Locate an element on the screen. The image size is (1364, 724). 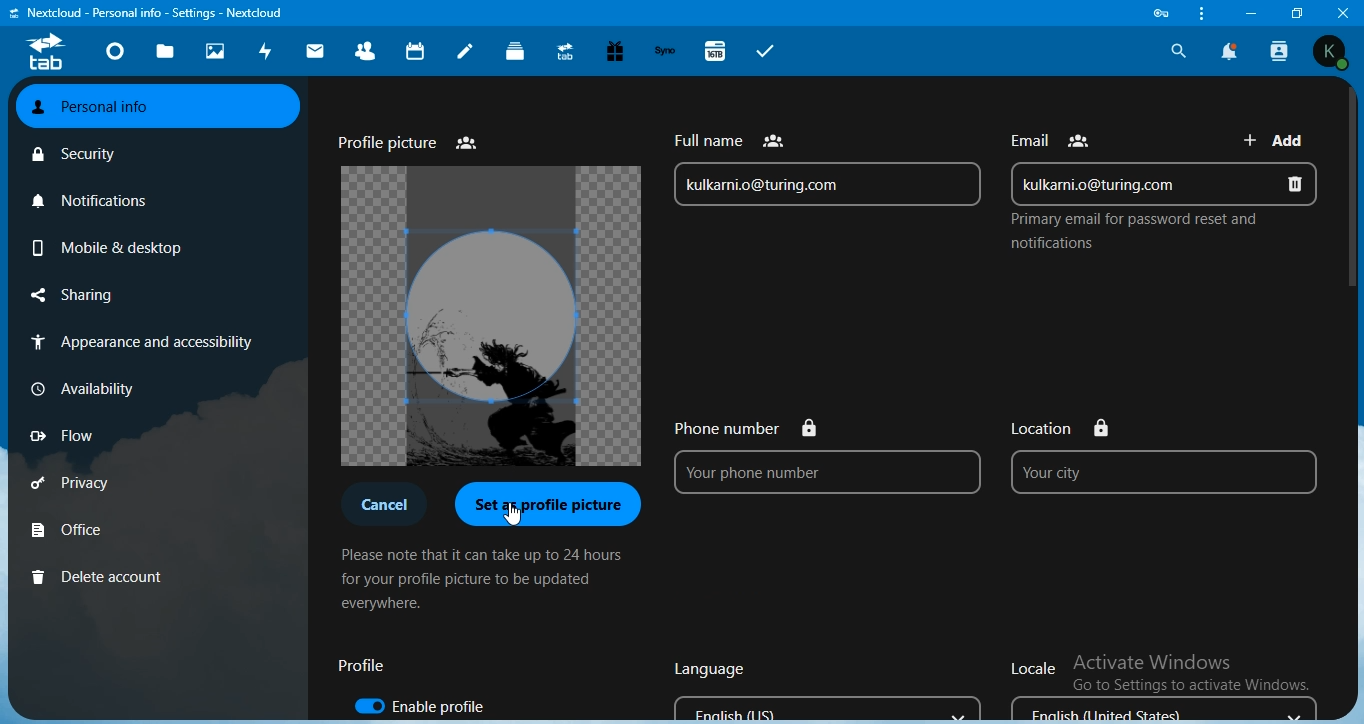
icon is located at coordinates (44, 54).